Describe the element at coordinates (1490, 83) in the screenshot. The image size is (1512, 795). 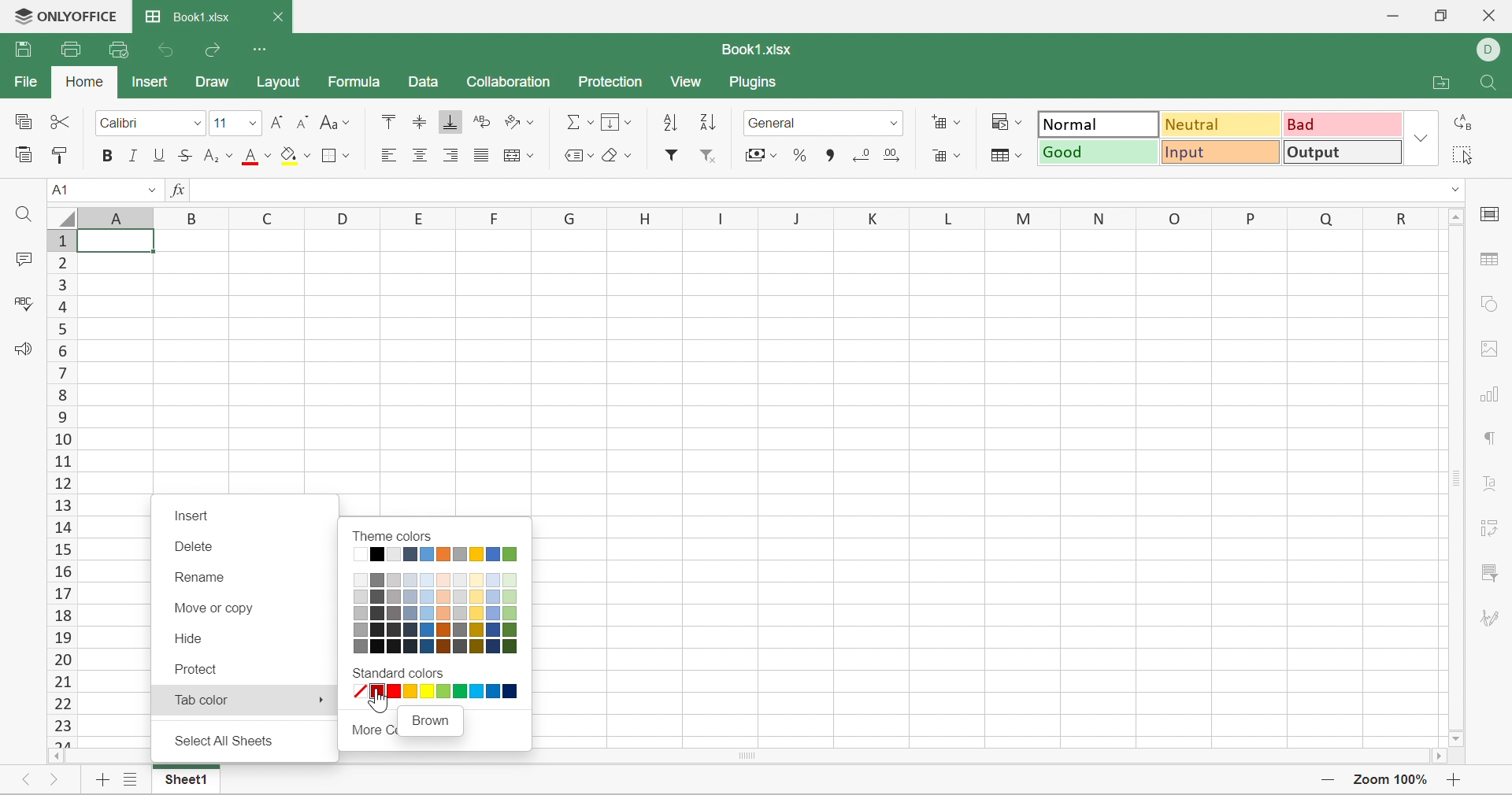
I see `Find` at that location.